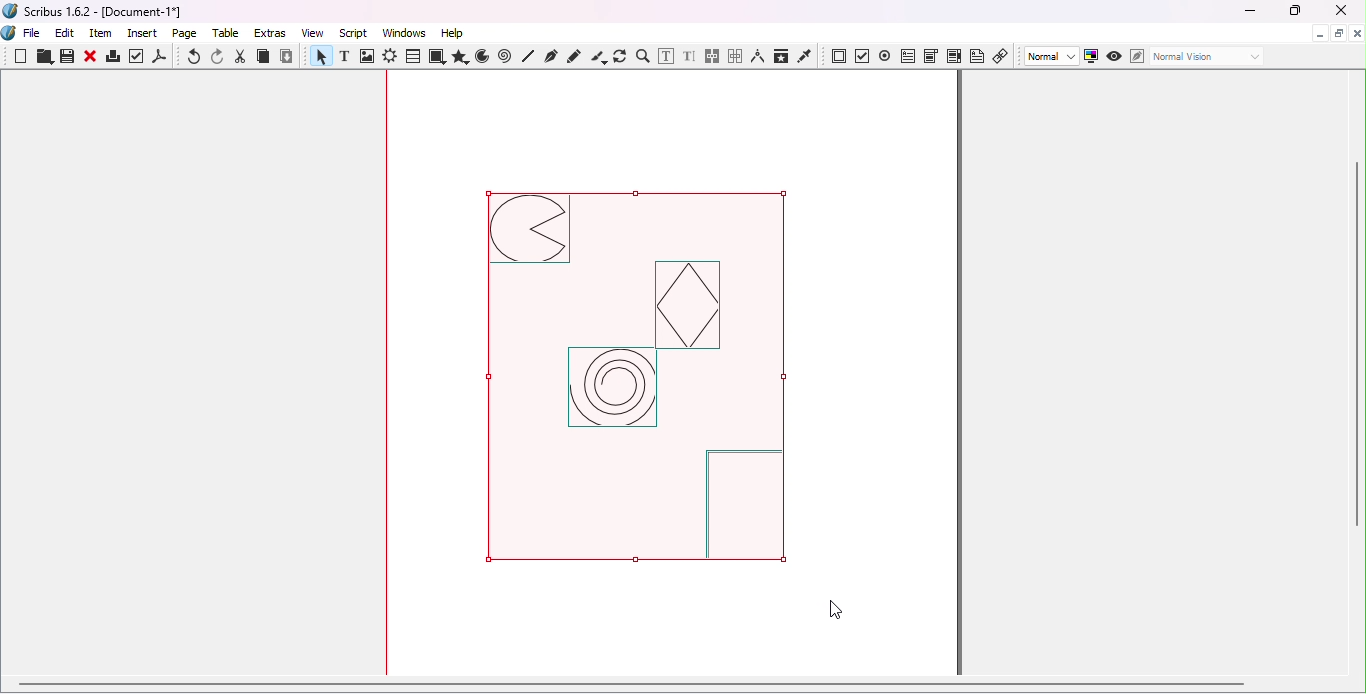 The width and height of the screenshot is (1366, 694). What do you see at coordinates (219, 57) in the screenshot?
I see `Redo` at bounding box center [219, 57].